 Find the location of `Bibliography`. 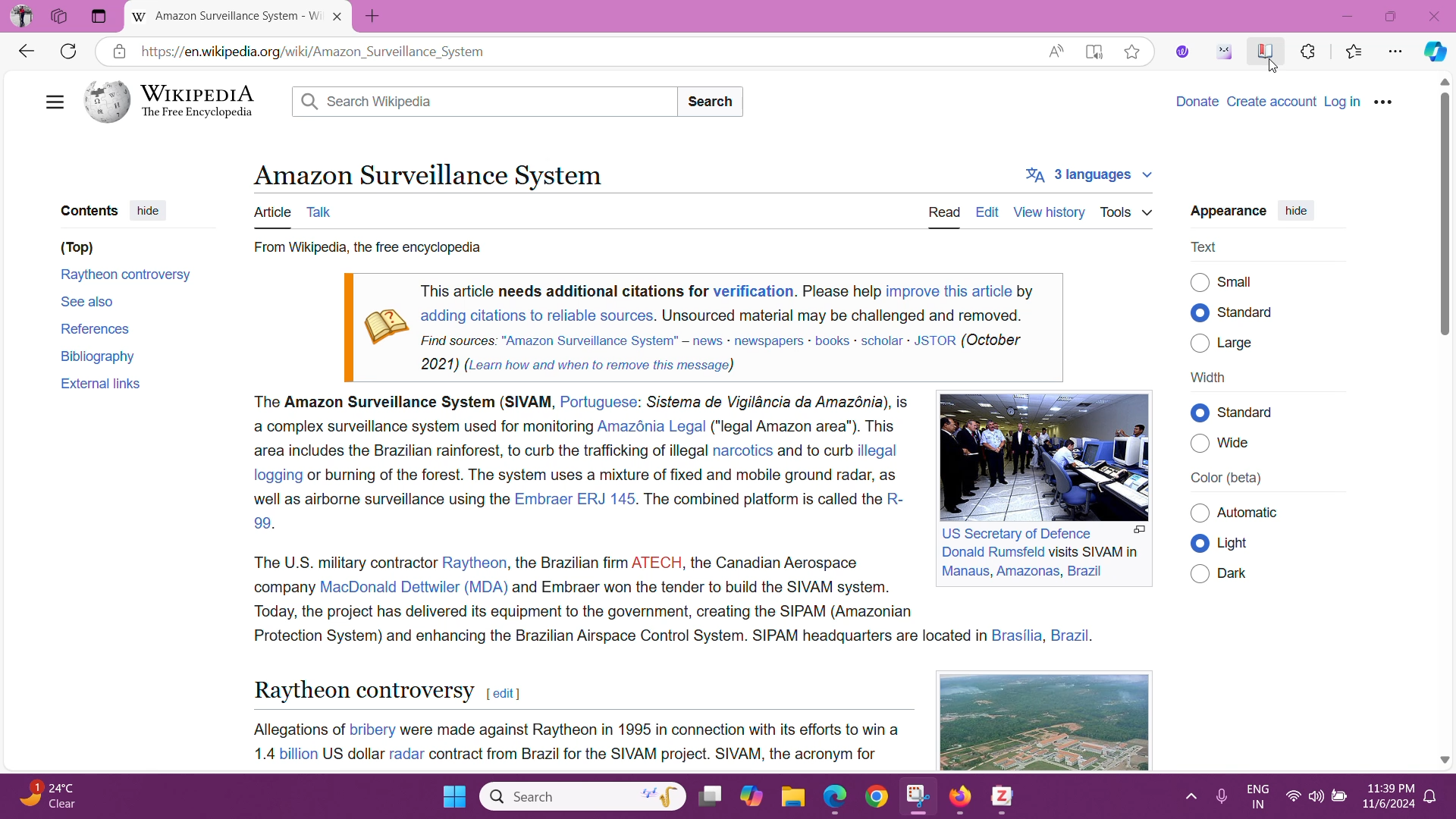

Bibliography is located at coordinates (100, 355).